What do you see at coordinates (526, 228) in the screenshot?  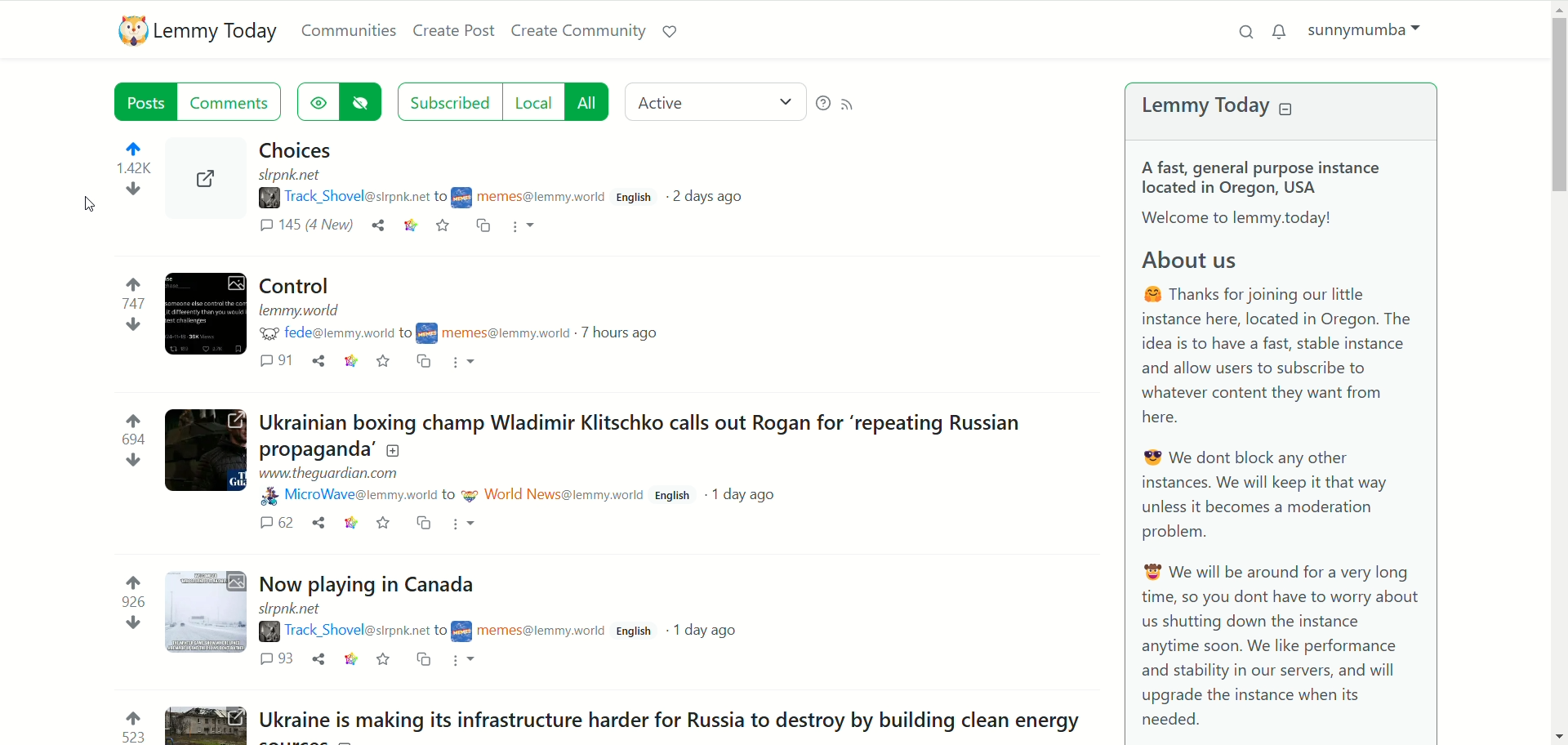 I see `more` at bounding box center [526, 228].